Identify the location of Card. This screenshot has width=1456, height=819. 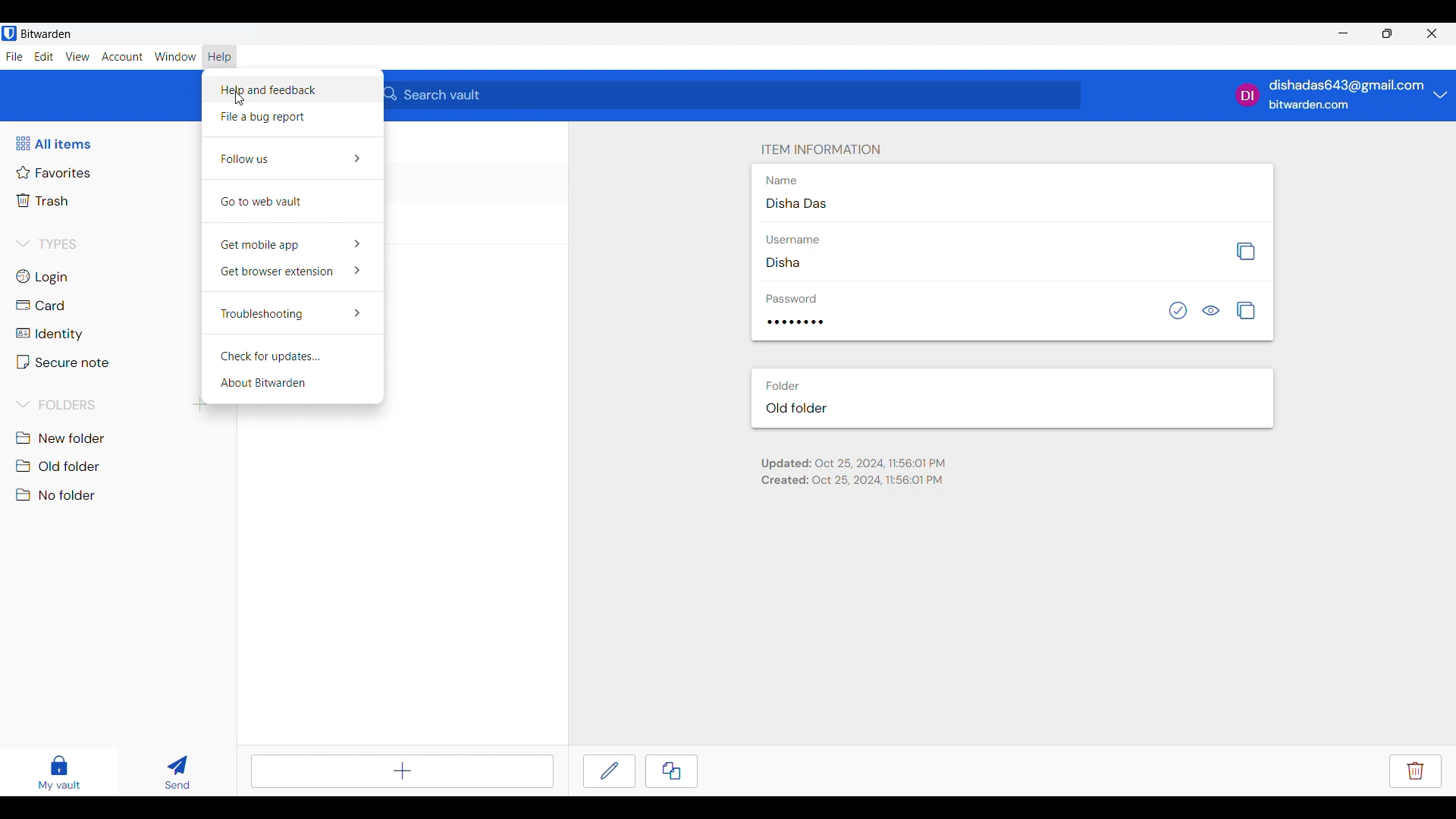
(42, 305).